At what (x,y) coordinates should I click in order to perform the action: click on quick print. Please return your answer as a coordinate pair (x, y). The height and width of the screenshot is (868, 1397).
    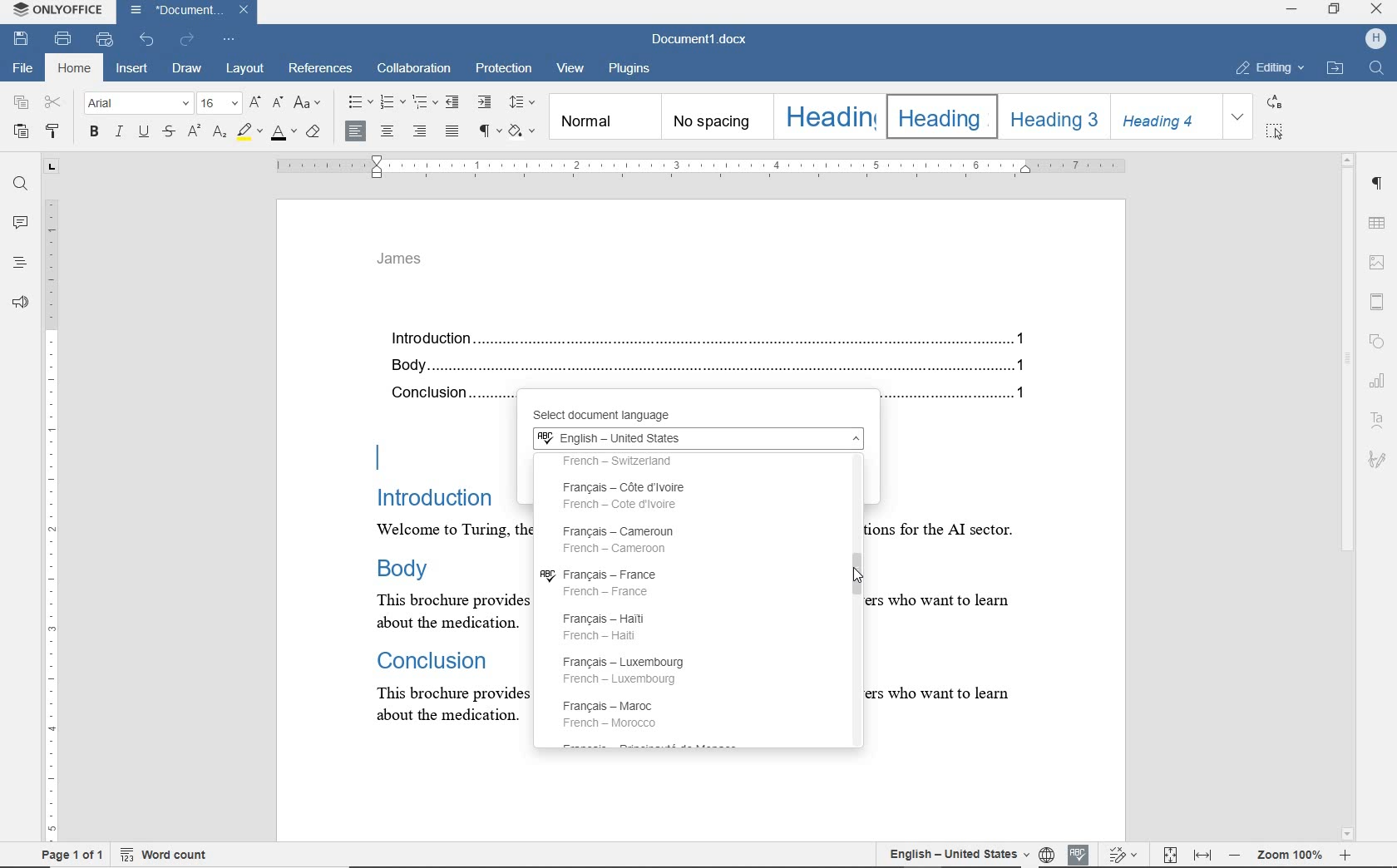
    Looking at the image, I should click on (105, 40).